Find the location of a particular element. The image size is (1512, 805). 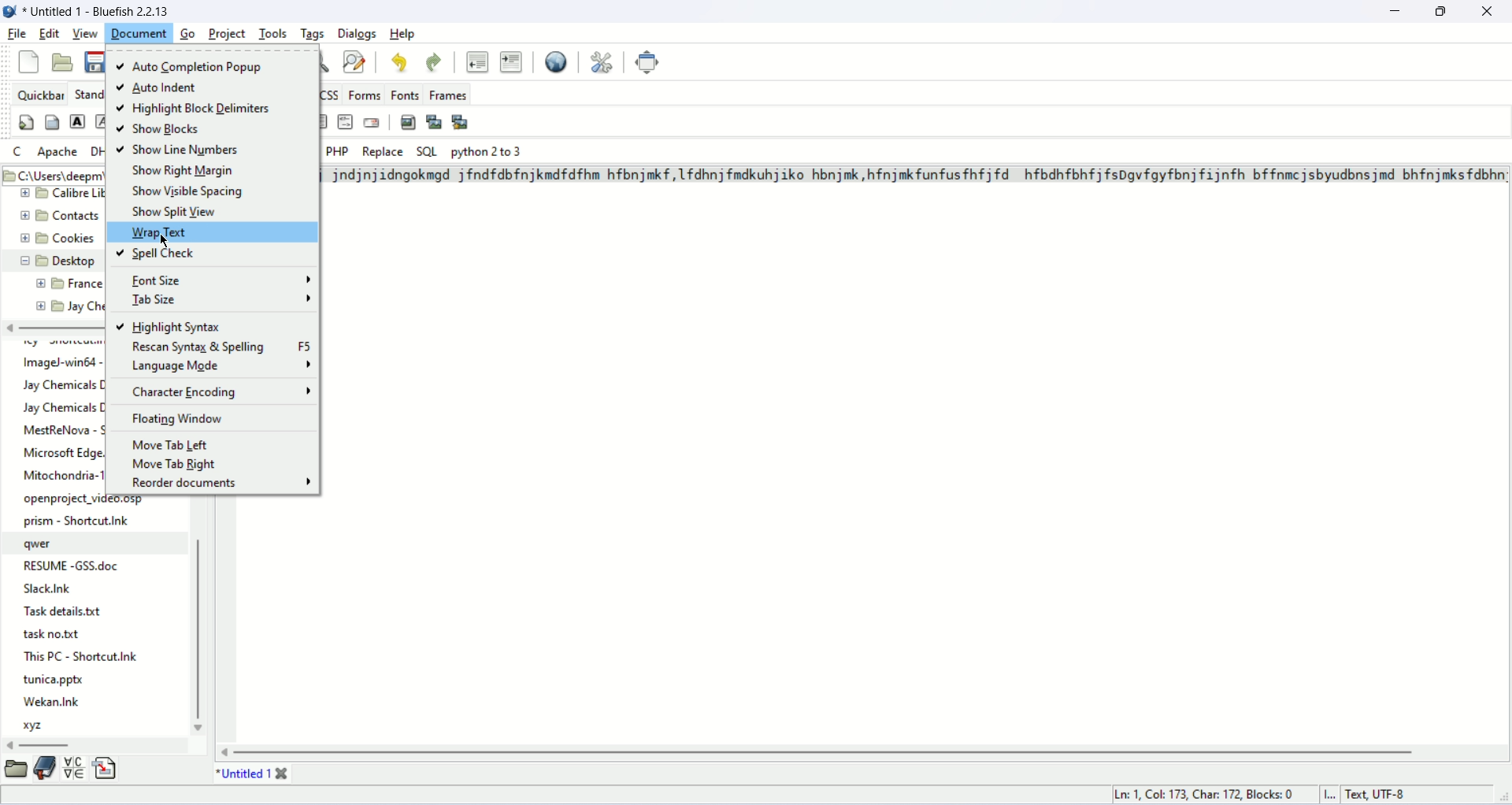

text, UTF-8 is located at coordinates (1386, 796).